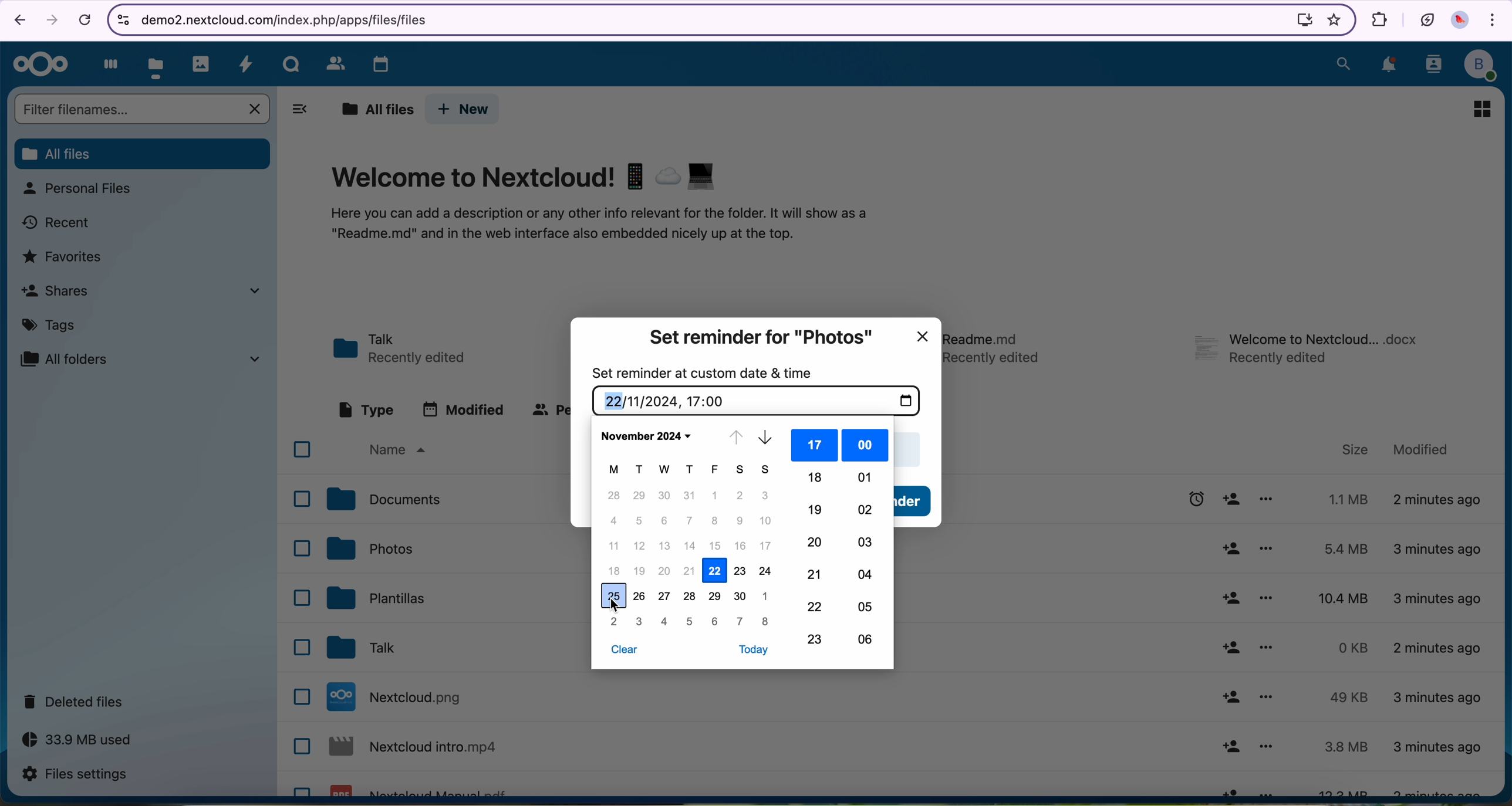 This screenshot has height=806, width=1512. I want to click on favorites, so click(64, 258).